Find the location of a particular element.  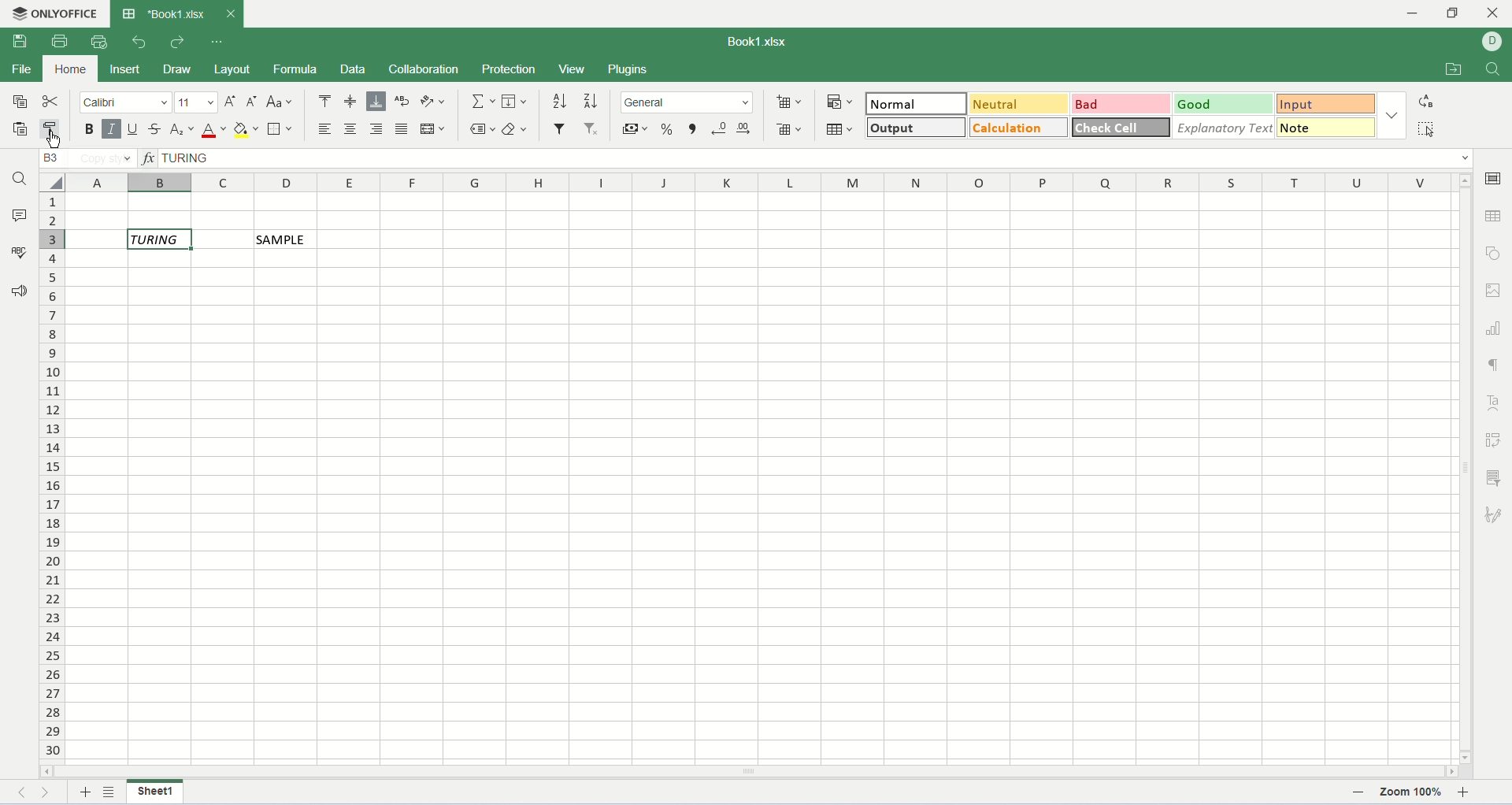

align right is located at coordinates (377, 128).